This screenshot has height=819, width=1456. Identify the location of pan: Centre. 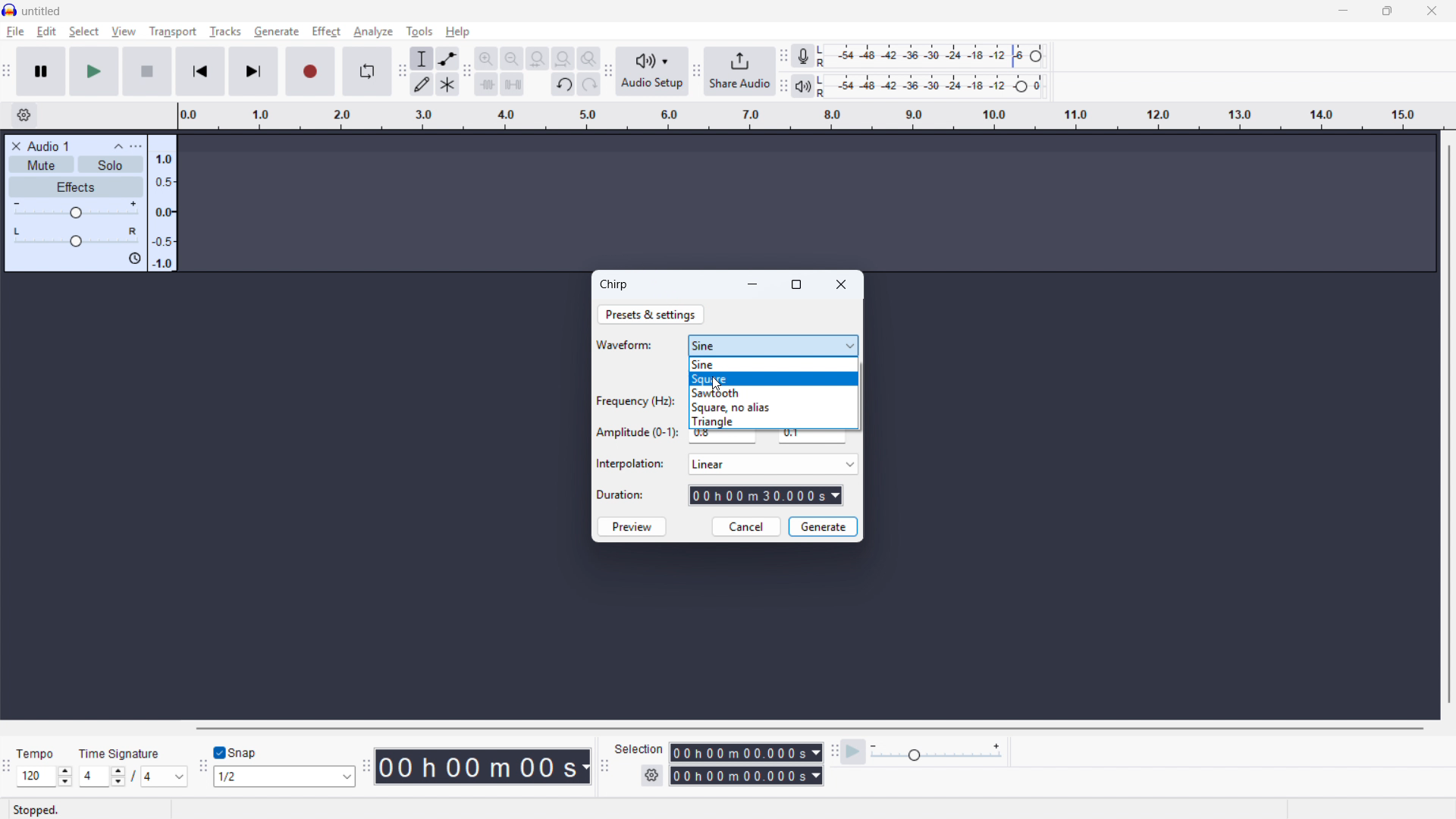
(78, 237).